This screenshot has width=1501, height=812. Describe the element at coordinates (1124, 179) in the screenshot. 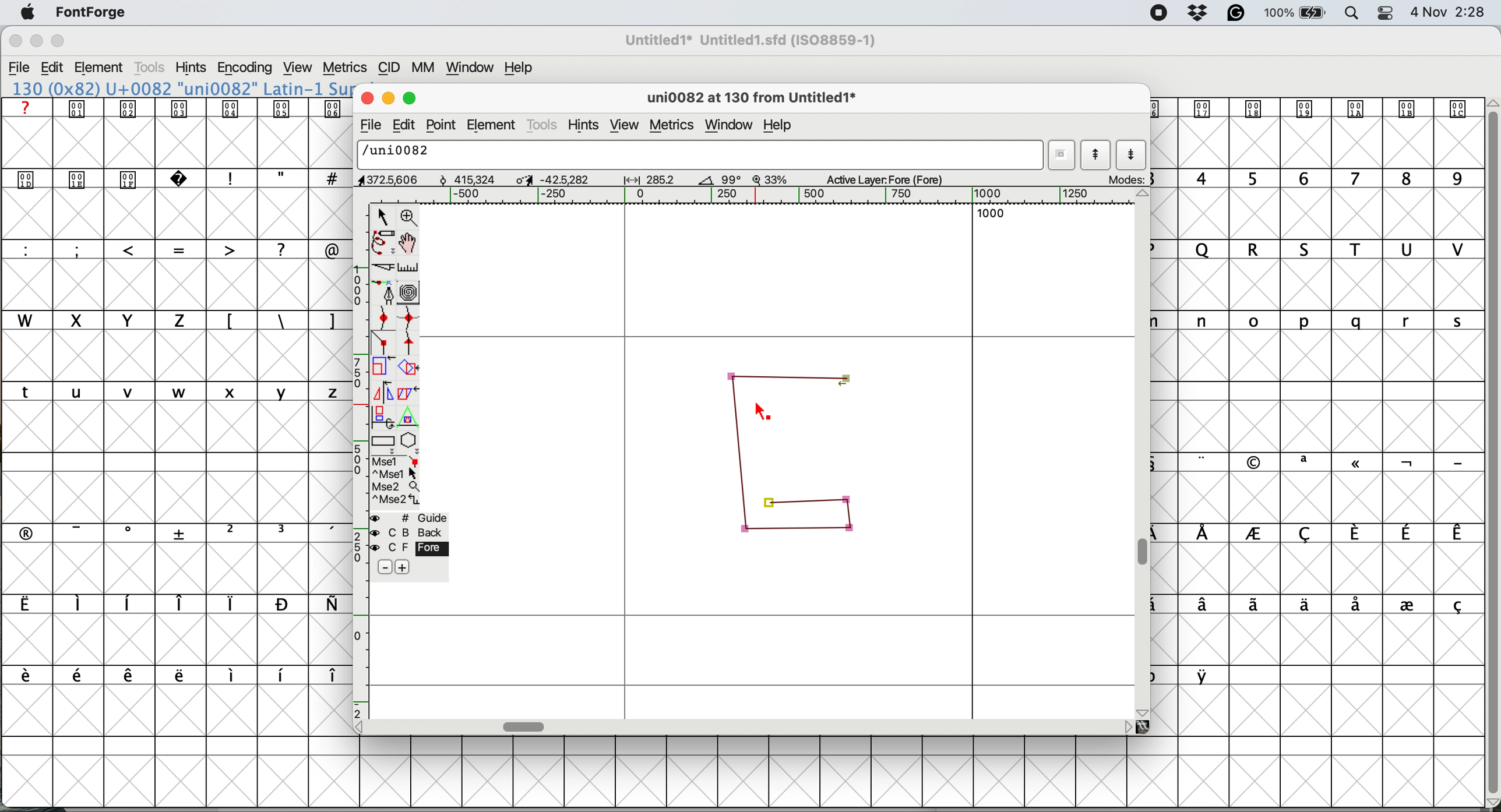

I see `mode` at that location.